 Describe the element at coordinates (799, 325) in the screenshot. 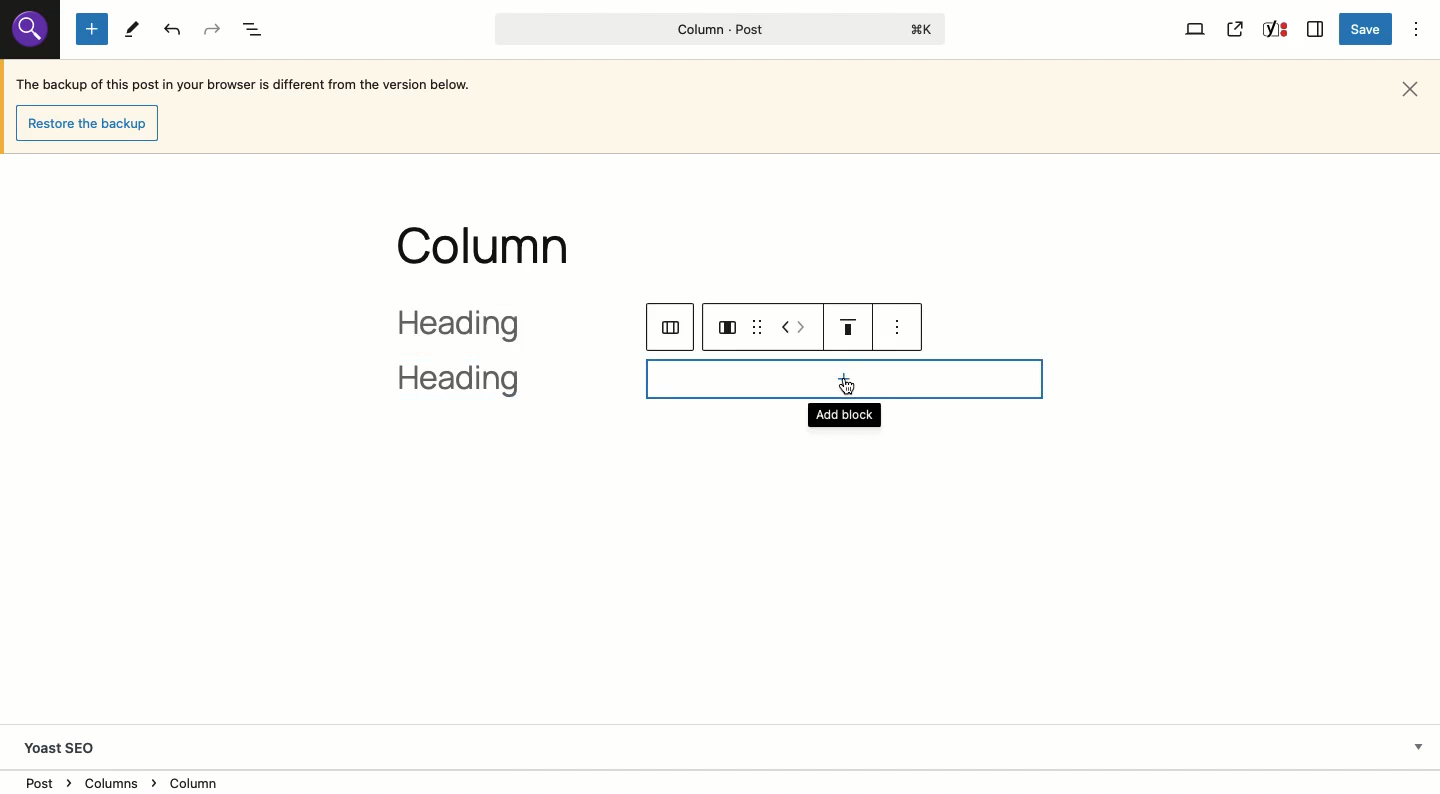

I see `Move left right` at that location.